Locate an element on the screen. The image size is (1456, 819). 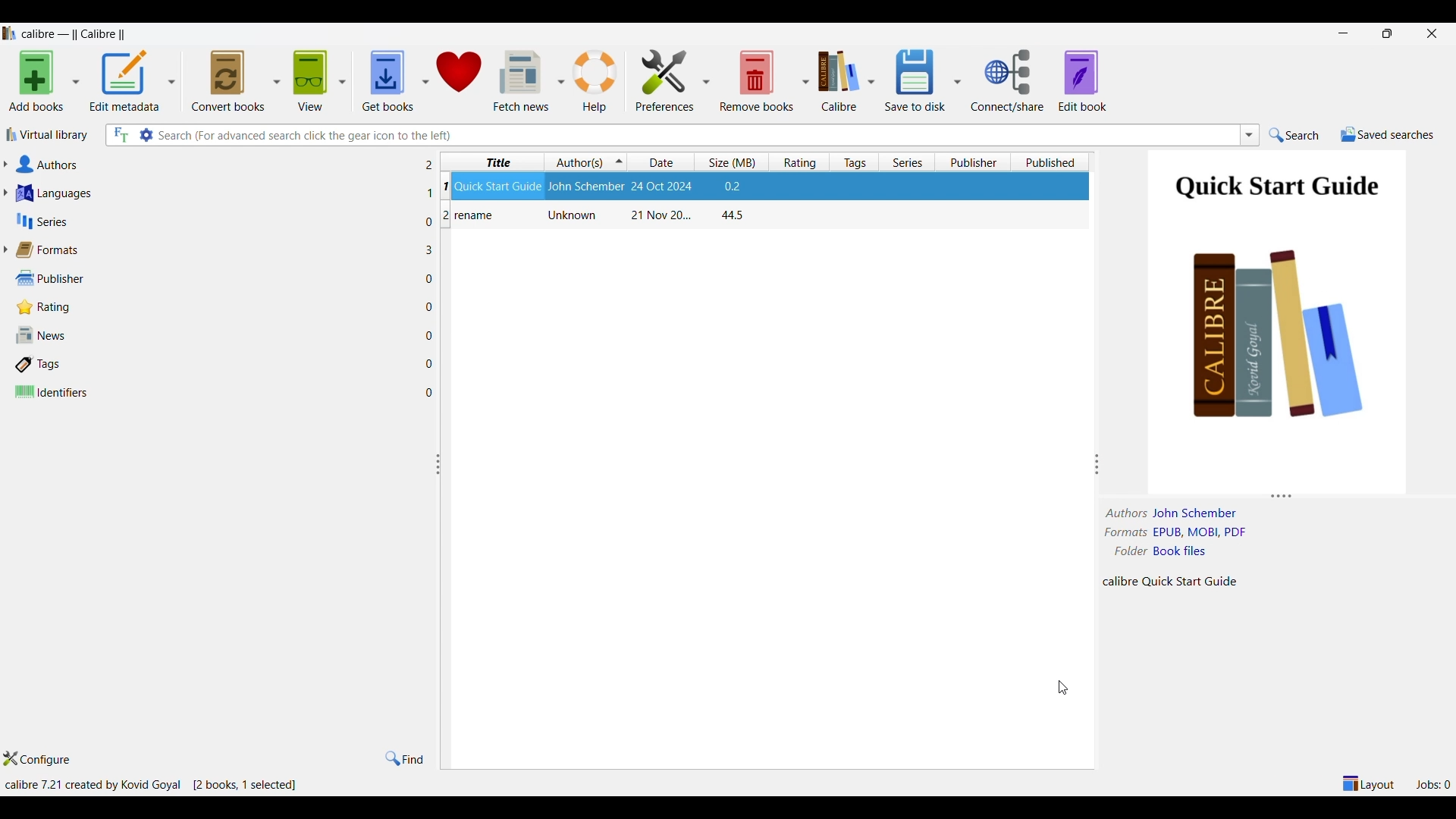
Details of software is located at coordinates (152, 786).